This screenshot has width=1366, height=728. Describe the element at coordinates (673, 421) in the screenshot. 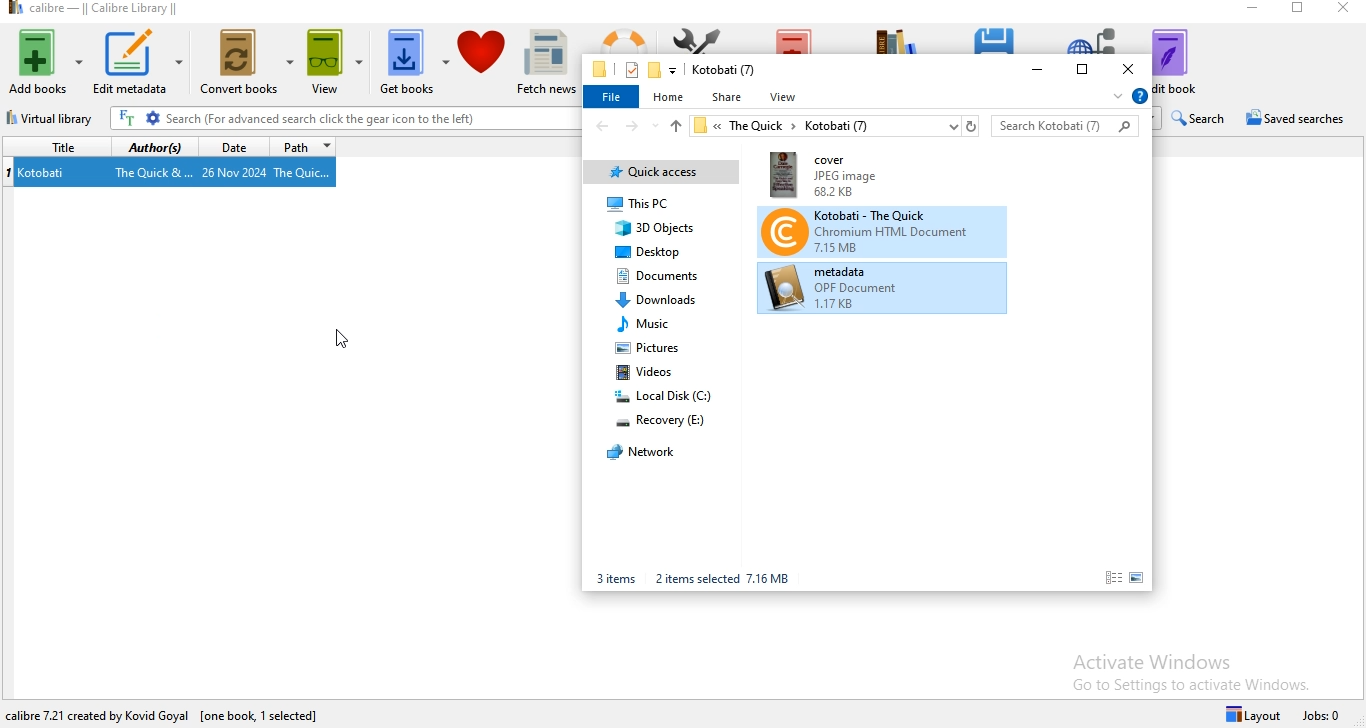

I see `recovery (E:)` at that location.